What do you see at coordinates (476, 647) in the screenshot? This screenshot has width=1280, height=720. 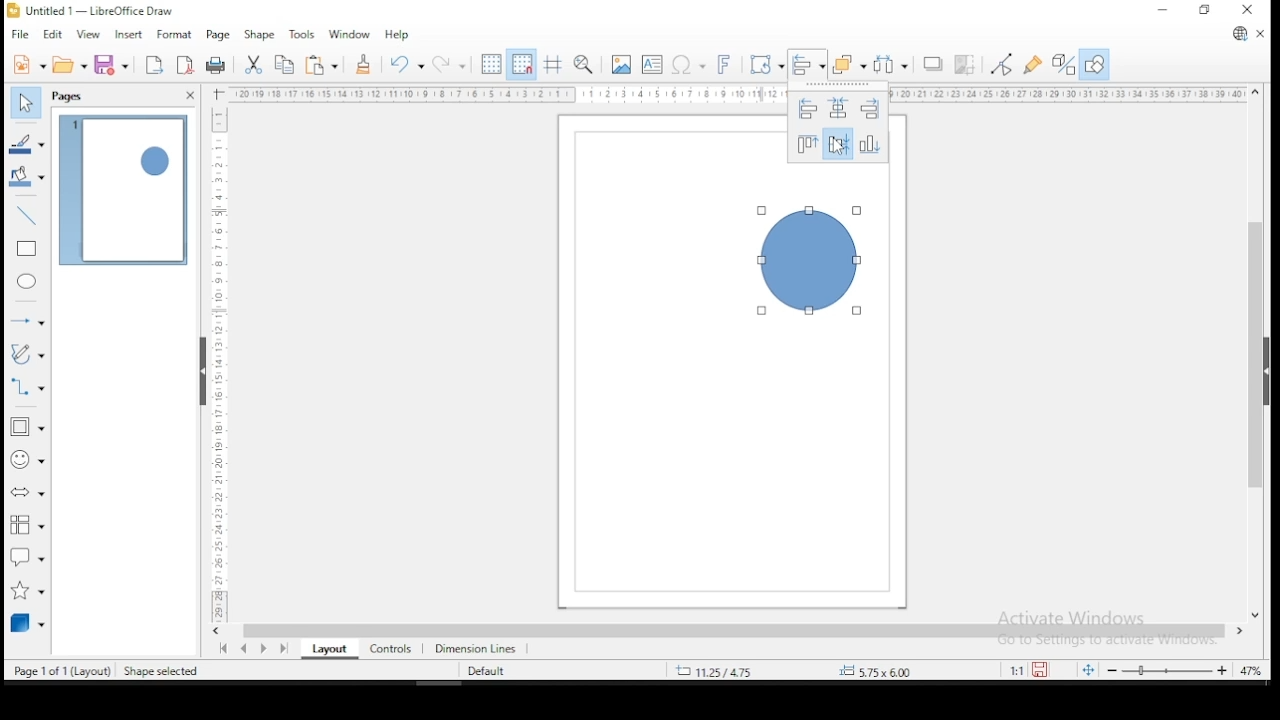 I see `dimension lines` at bounding box center [476, 647].